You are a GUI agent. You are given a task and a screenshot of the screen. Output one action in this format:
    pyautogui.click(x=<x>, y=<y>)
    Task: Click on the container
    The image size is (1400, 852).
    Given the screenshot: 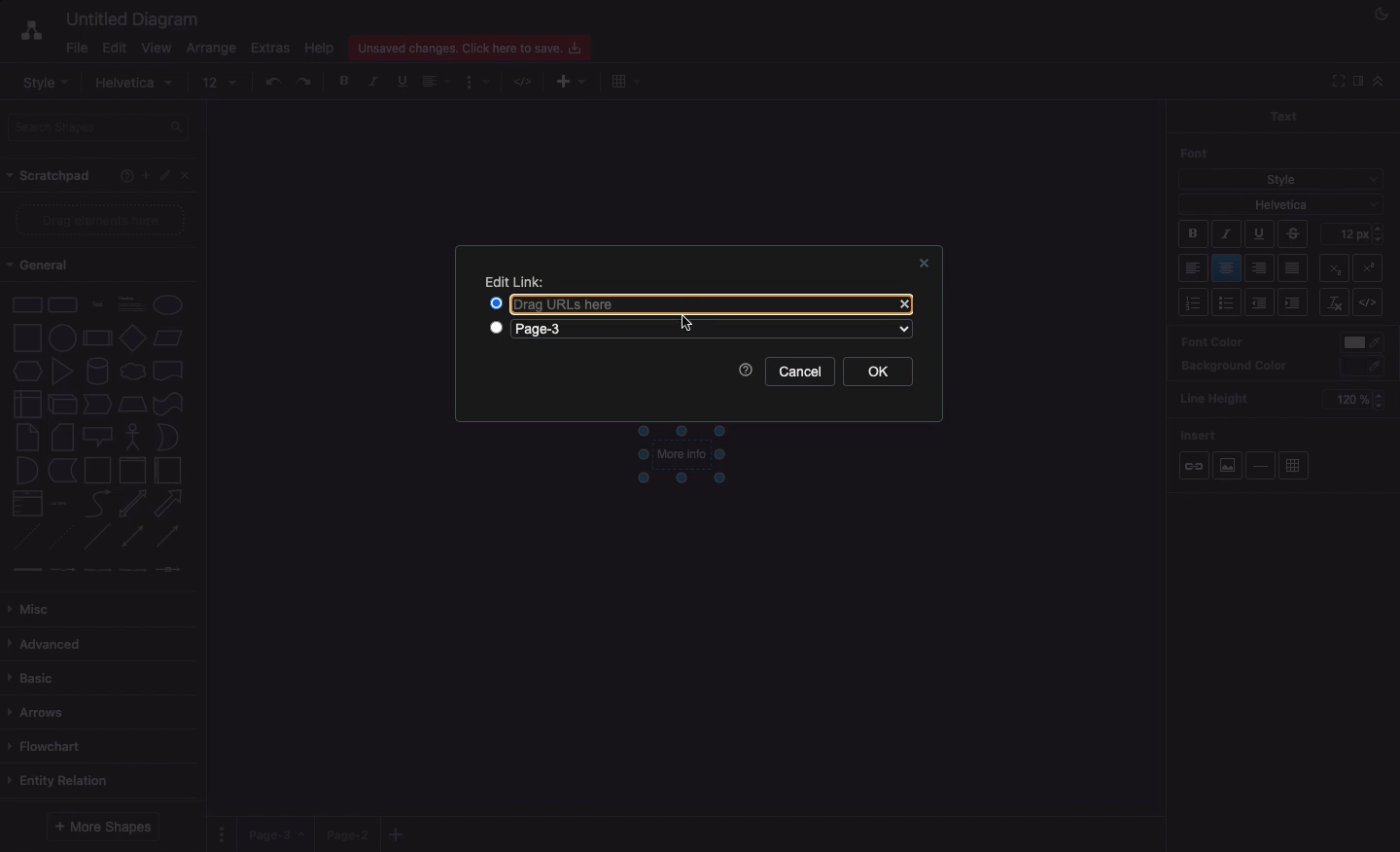 What is the action you would take?
    pyautogui.click(x=97, y=471)
    